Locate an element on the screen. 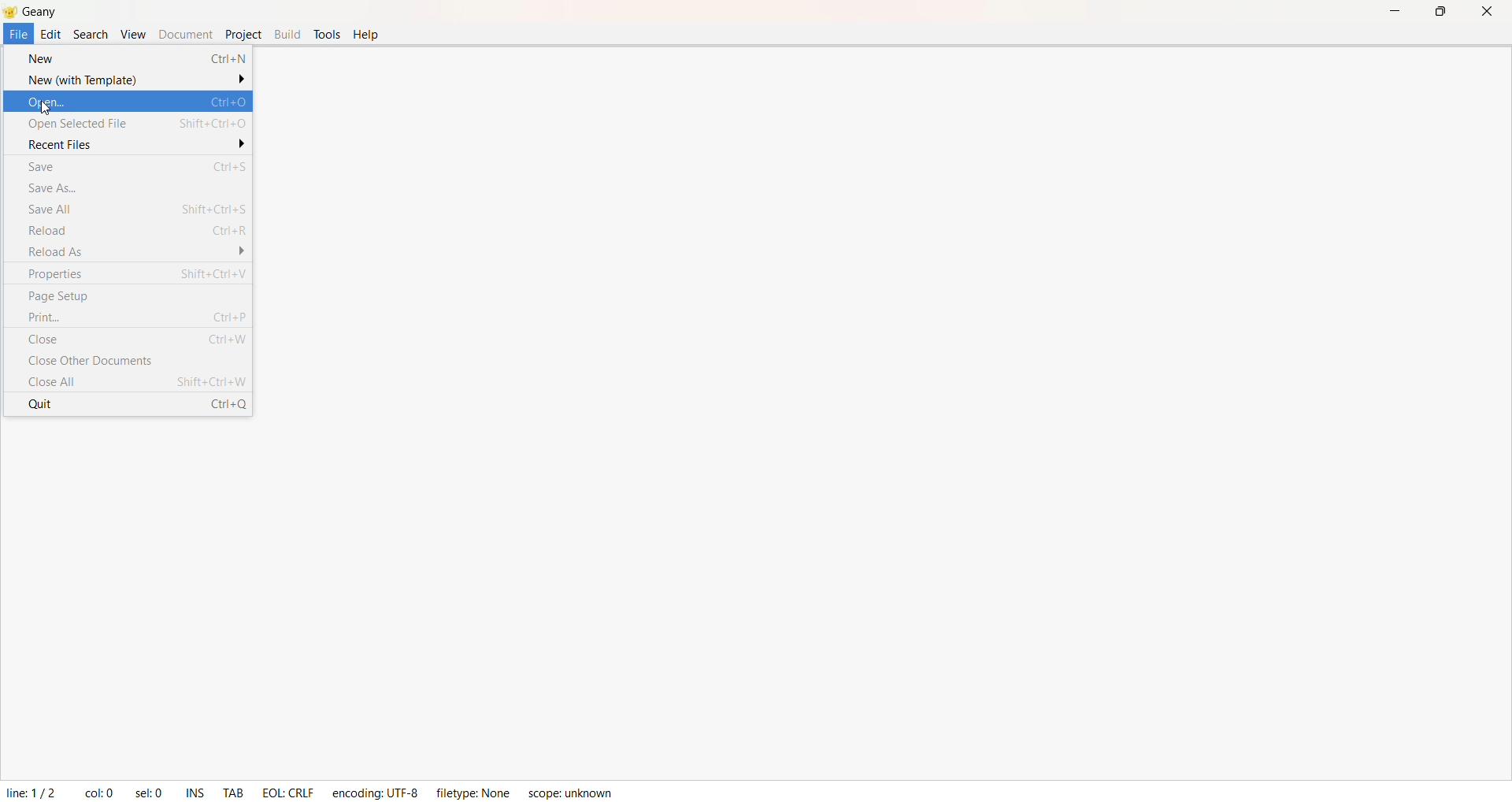 This screenshot has width=1512, height=802. New is located at coordinates (139, 58).